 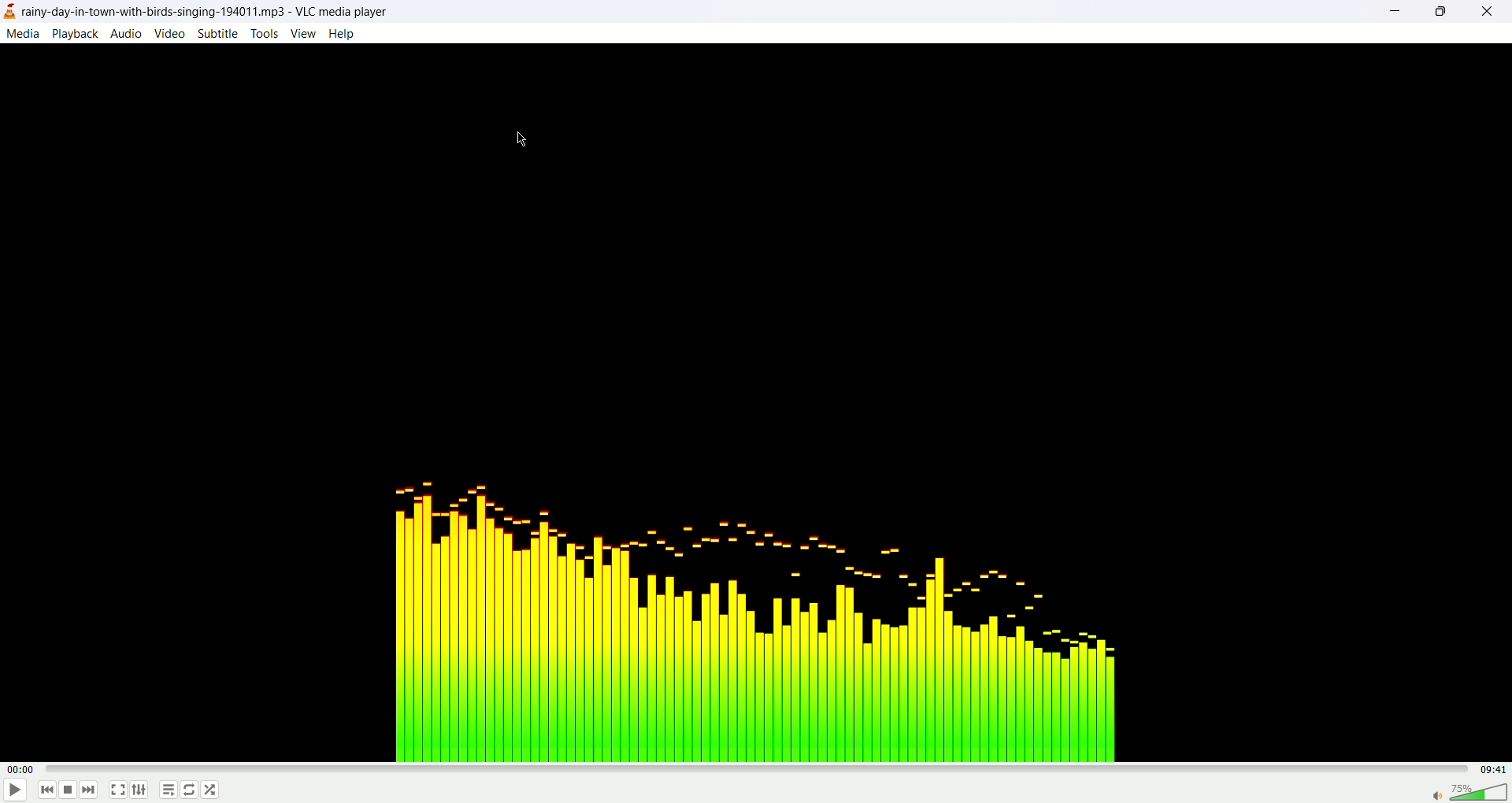 I want to click on play/pause, so click(x=15, y=791).